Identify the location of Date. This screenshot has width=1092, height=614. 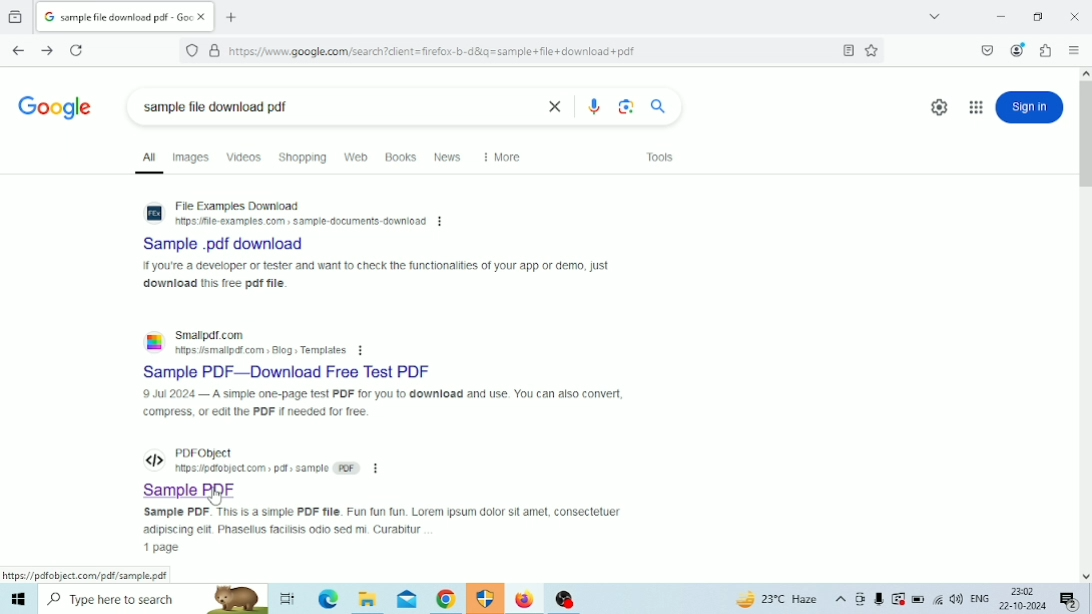
(1022, 606).